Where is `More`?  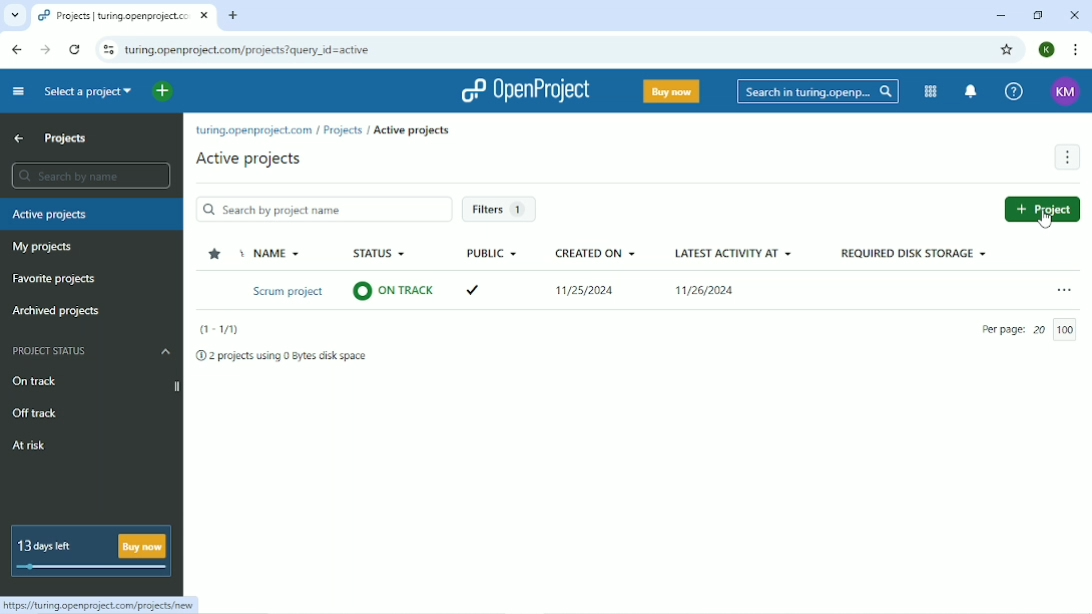 More is located at coordinates (1066, 157).